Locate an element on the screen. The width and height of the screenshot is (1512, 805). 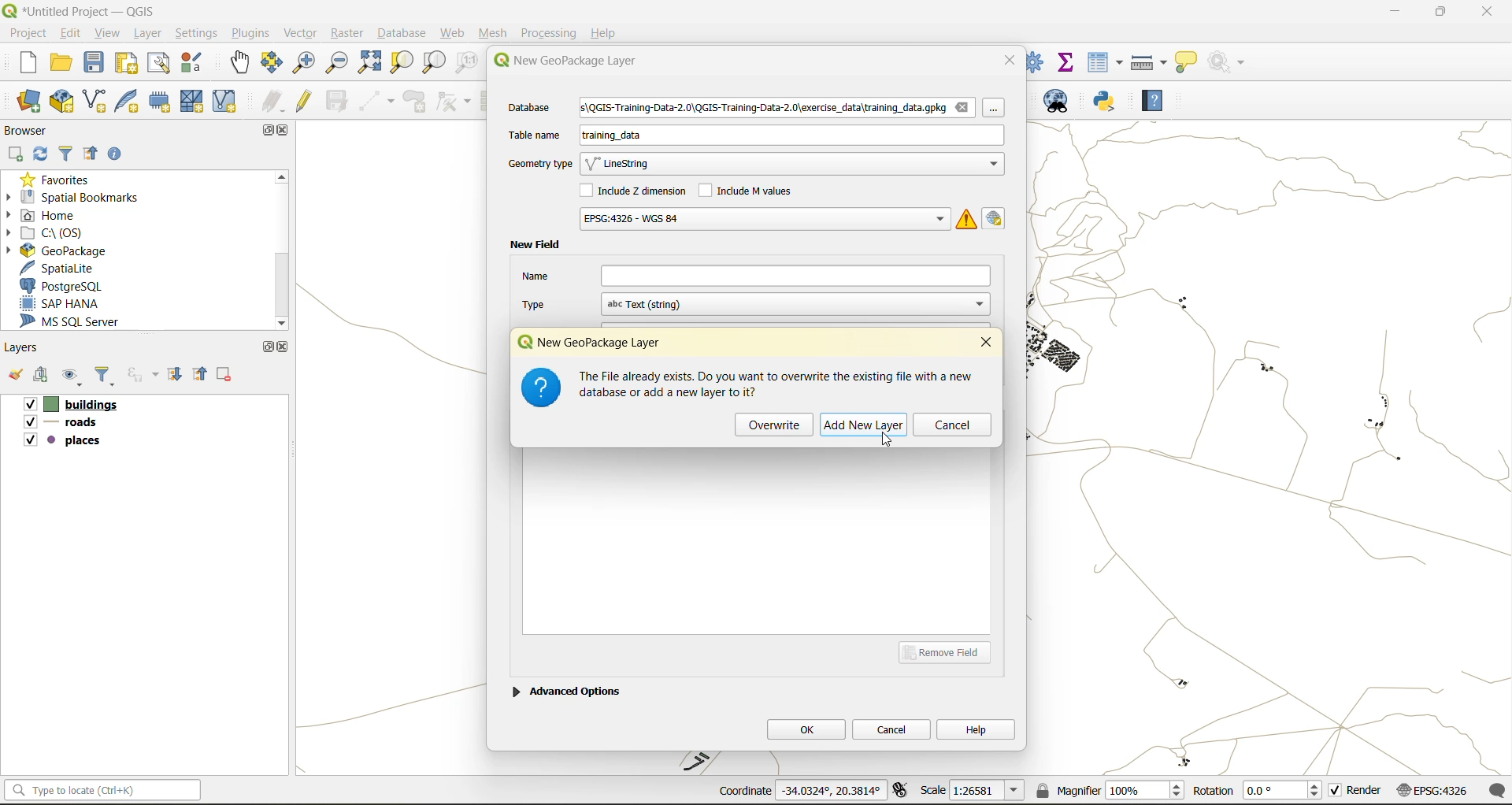
toggle extents is located at coordinates (902, 792).